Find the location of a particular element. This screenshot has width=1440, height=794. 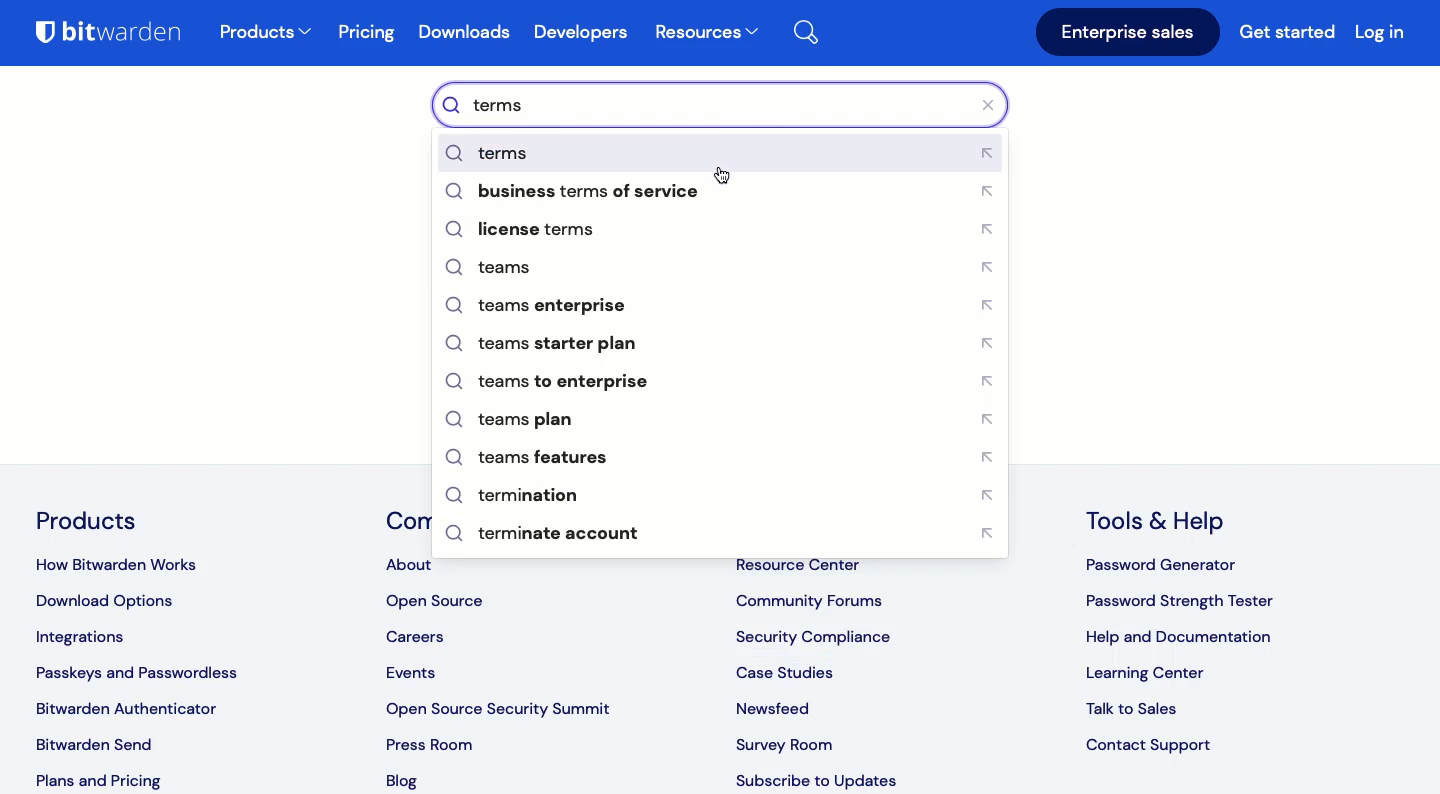

learning center is located at coordinates (1145, 675).